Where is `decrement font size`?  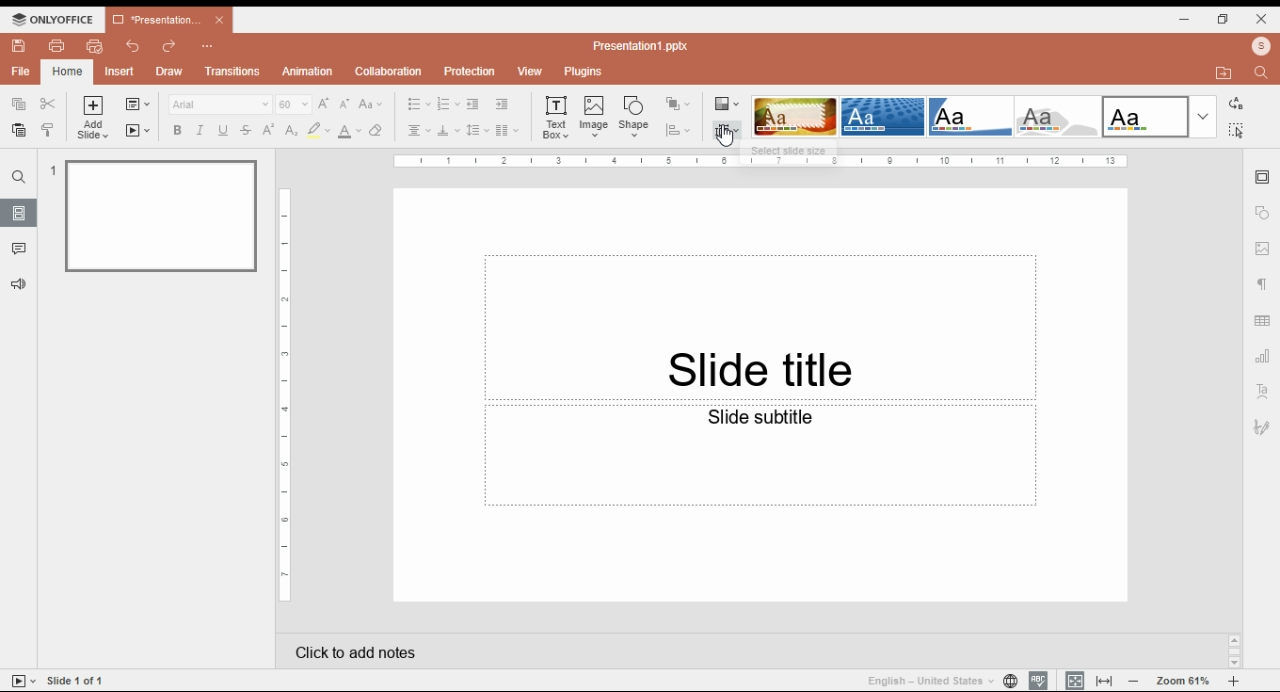
decrement font size is located at coordinates (345, 103).